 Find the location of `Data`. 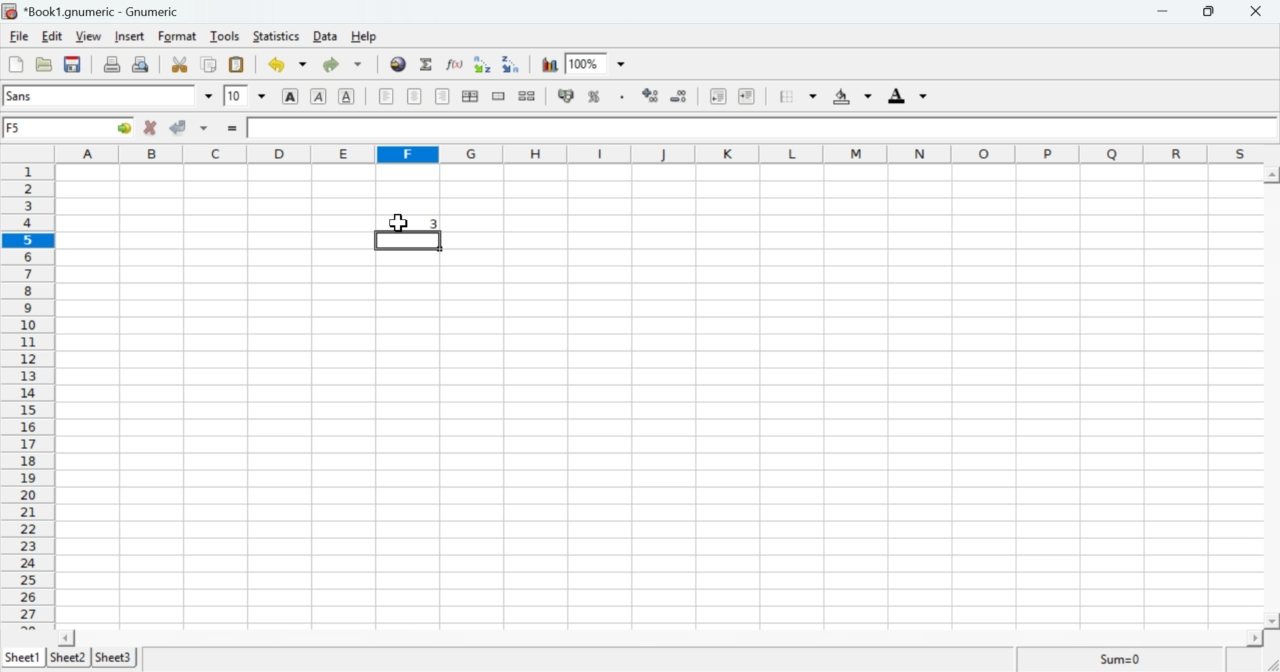

Data is located at coordinates (322, 36).